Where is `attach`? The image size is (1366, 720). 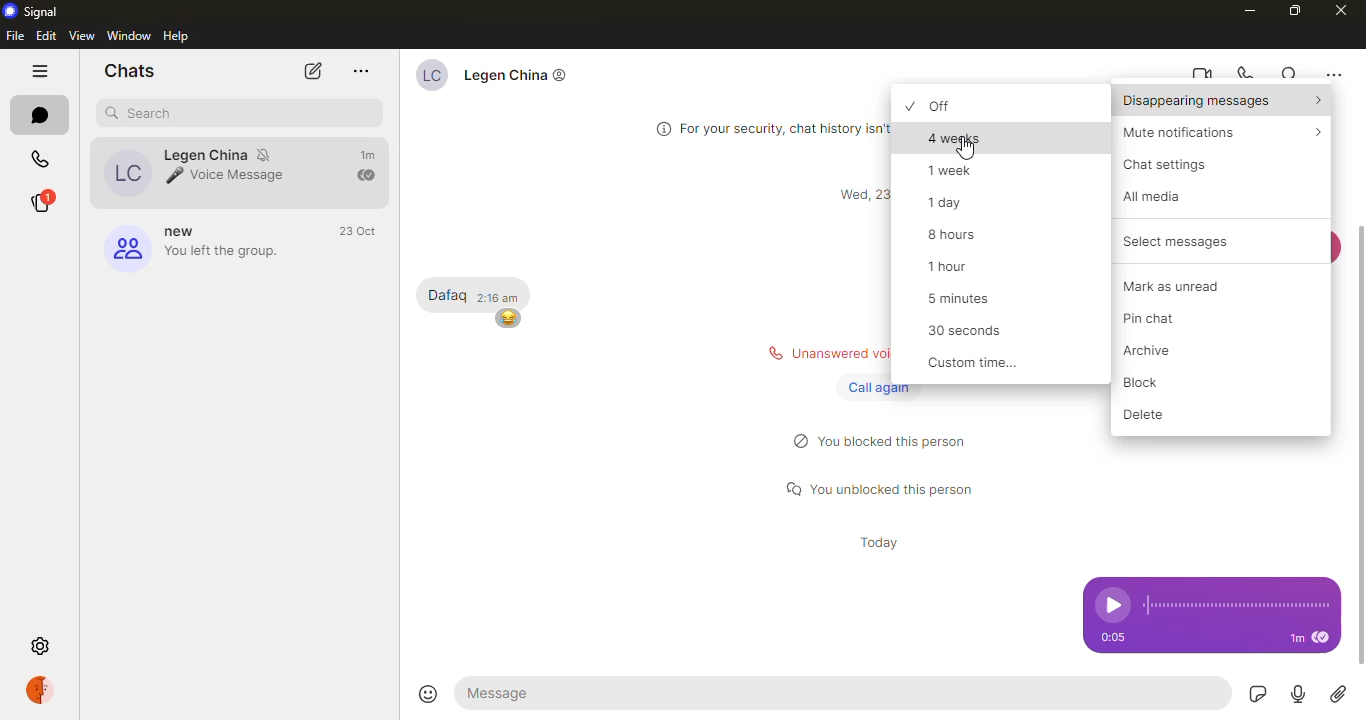
attach is located at coordinates (1339, 695).